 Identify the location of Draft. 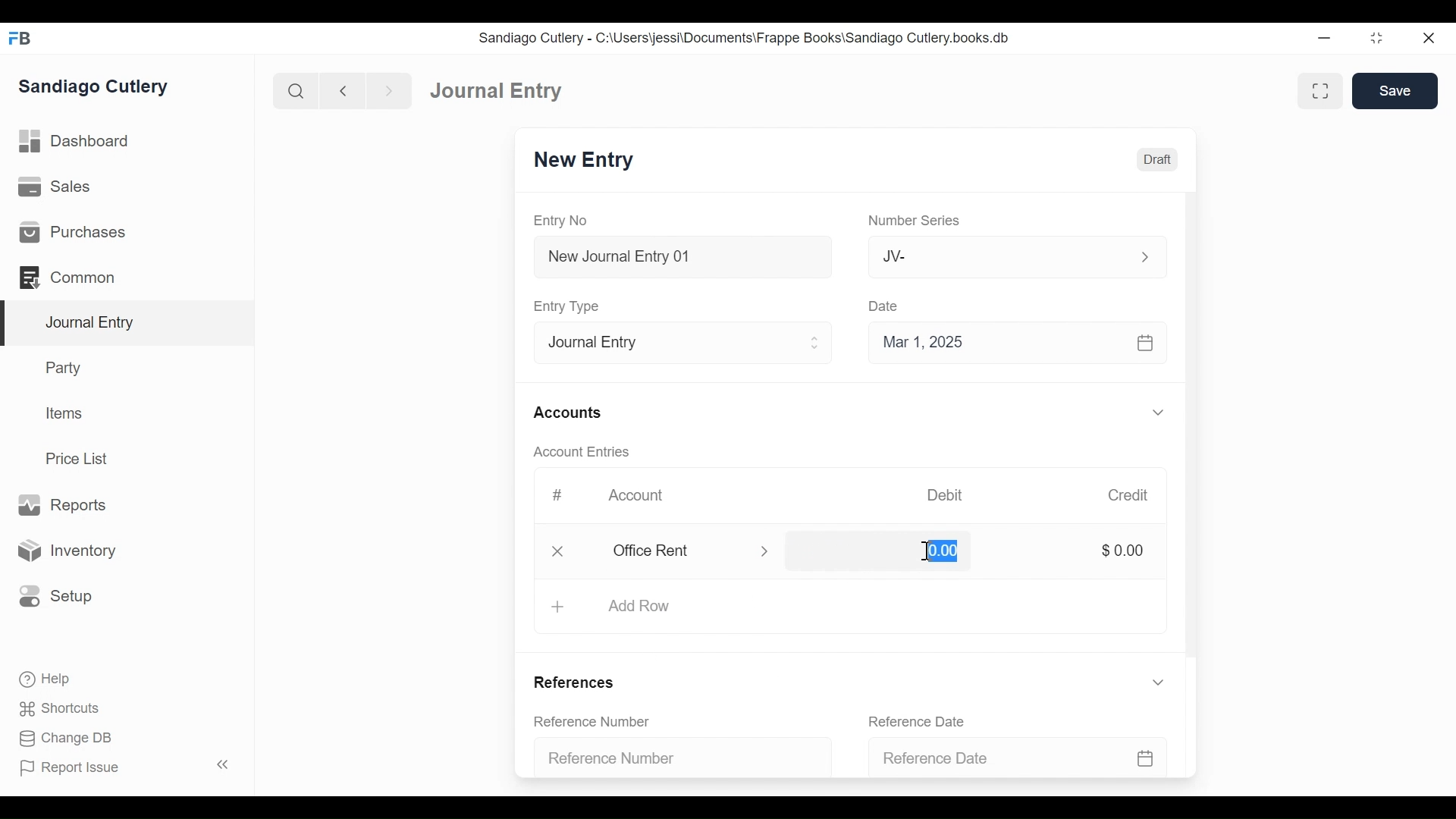
(1155, 159).